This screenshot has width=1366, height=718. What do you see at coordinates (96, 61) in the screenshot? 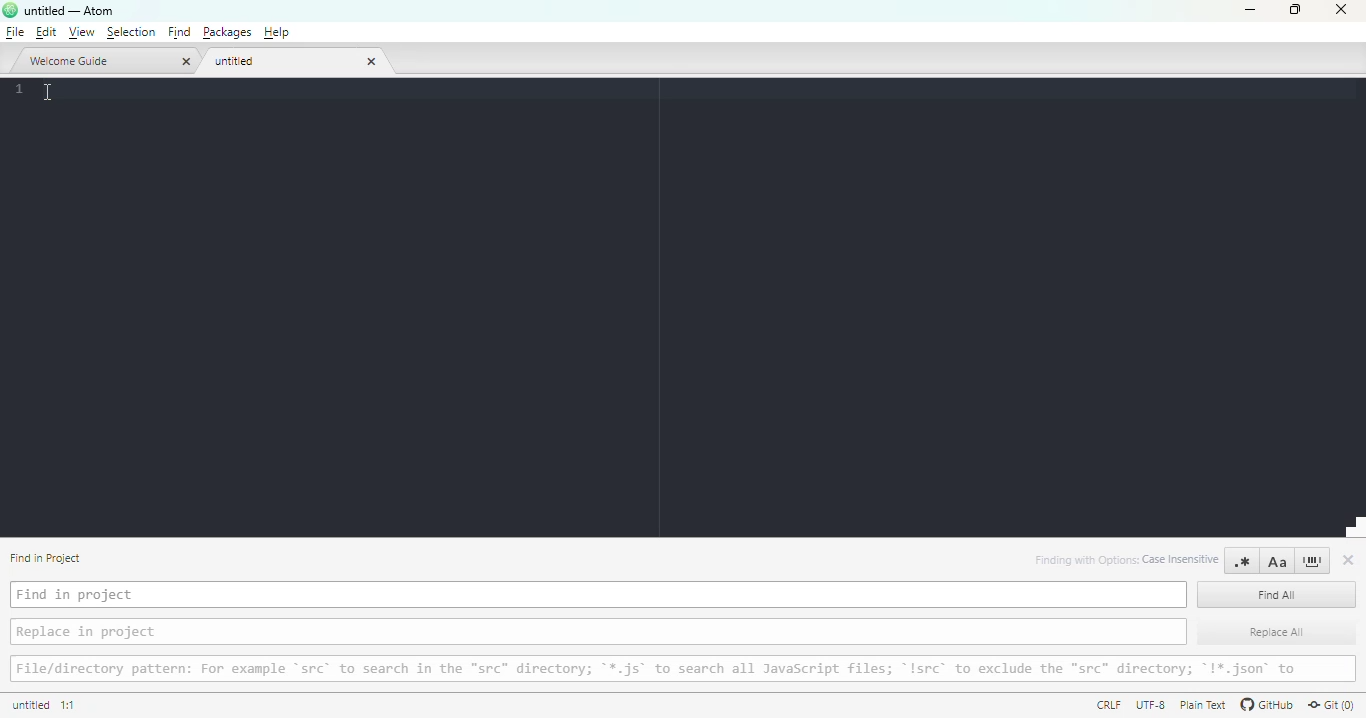
I see `welcome guide` at bounding box center [96, 61].